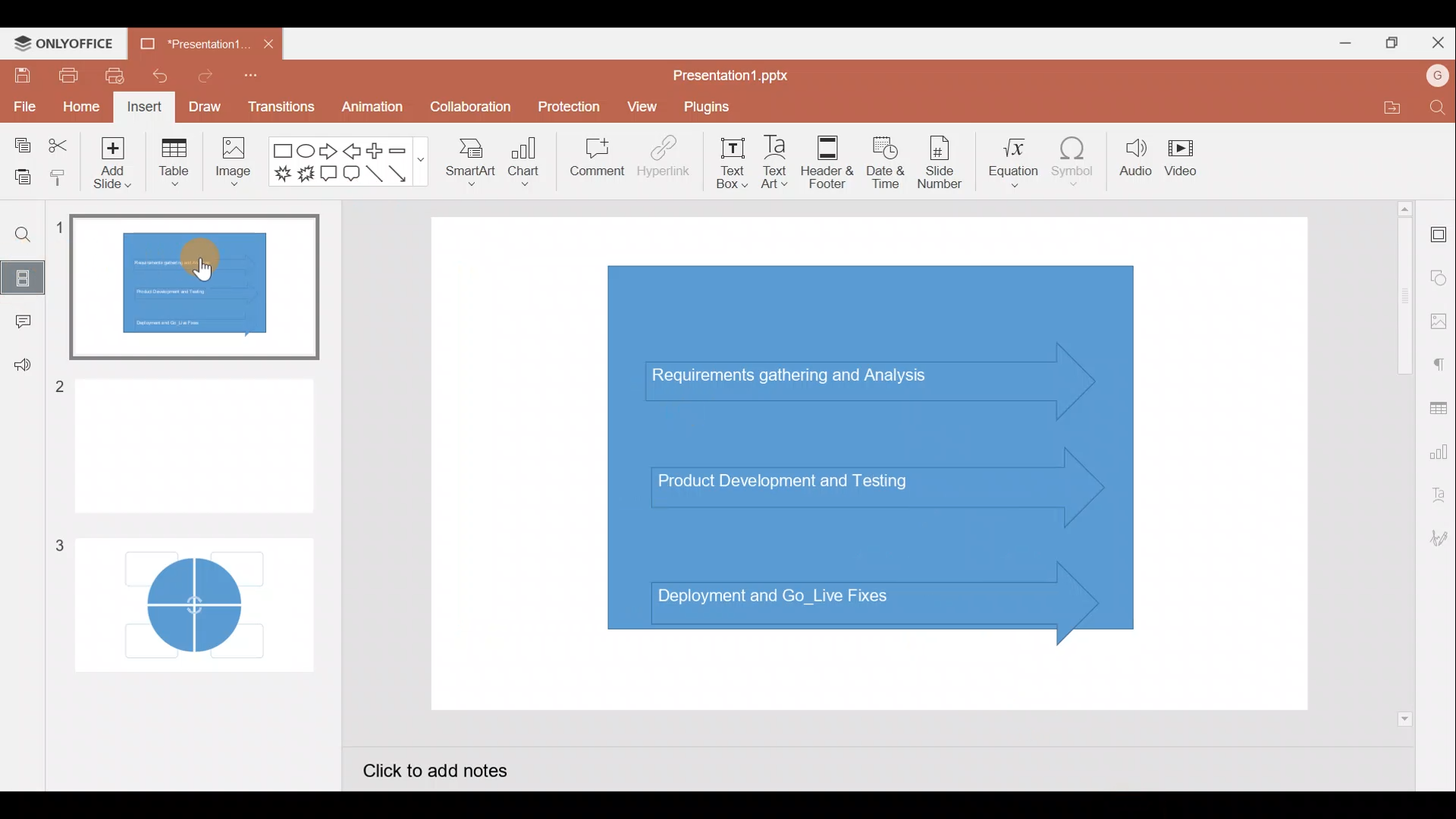 The width and height of the screenshot is (1456, 819). I want to click on Slides, so click(27, 275).